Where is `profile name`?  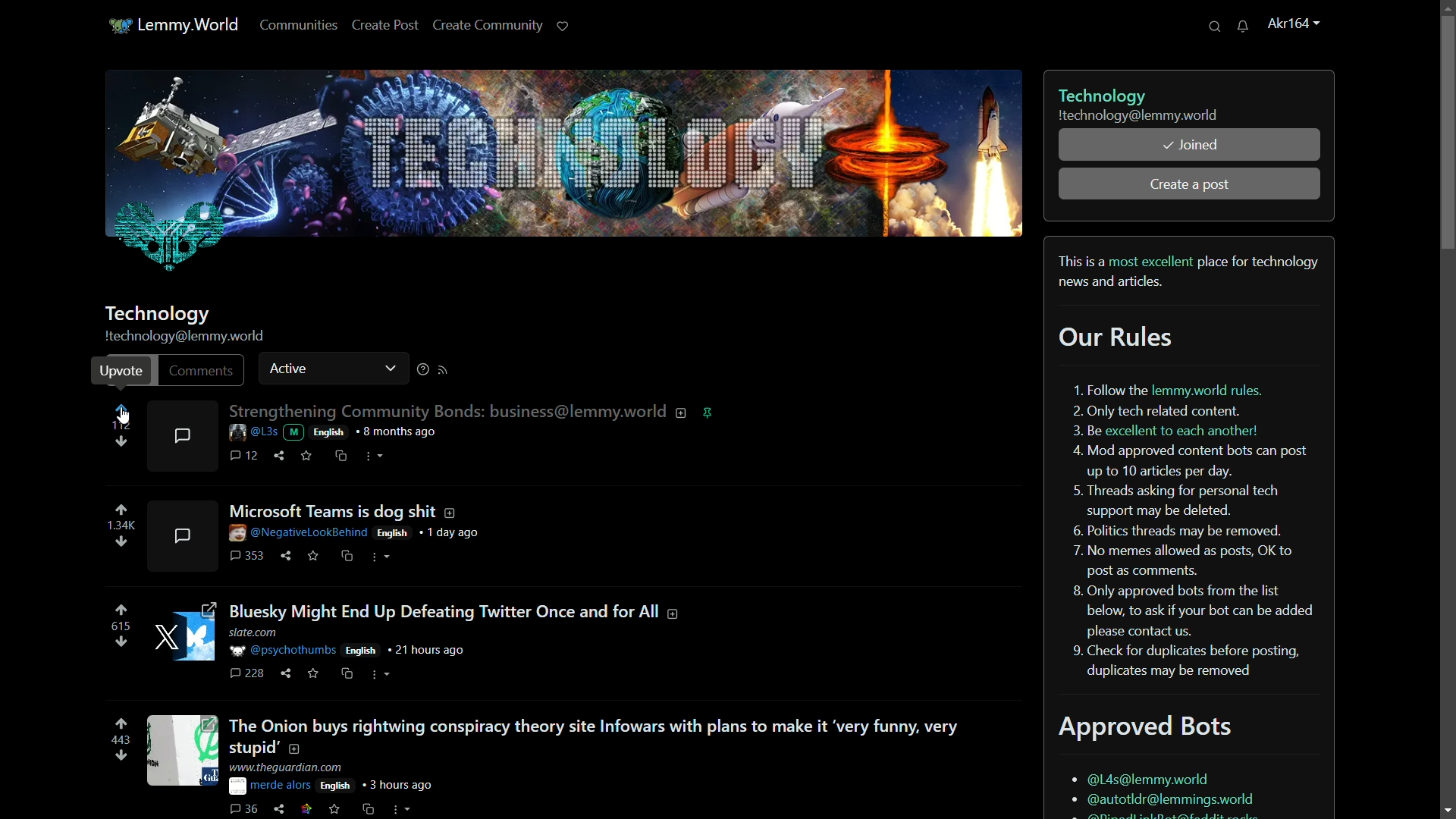 profile name is located at coordinates (190, 339).